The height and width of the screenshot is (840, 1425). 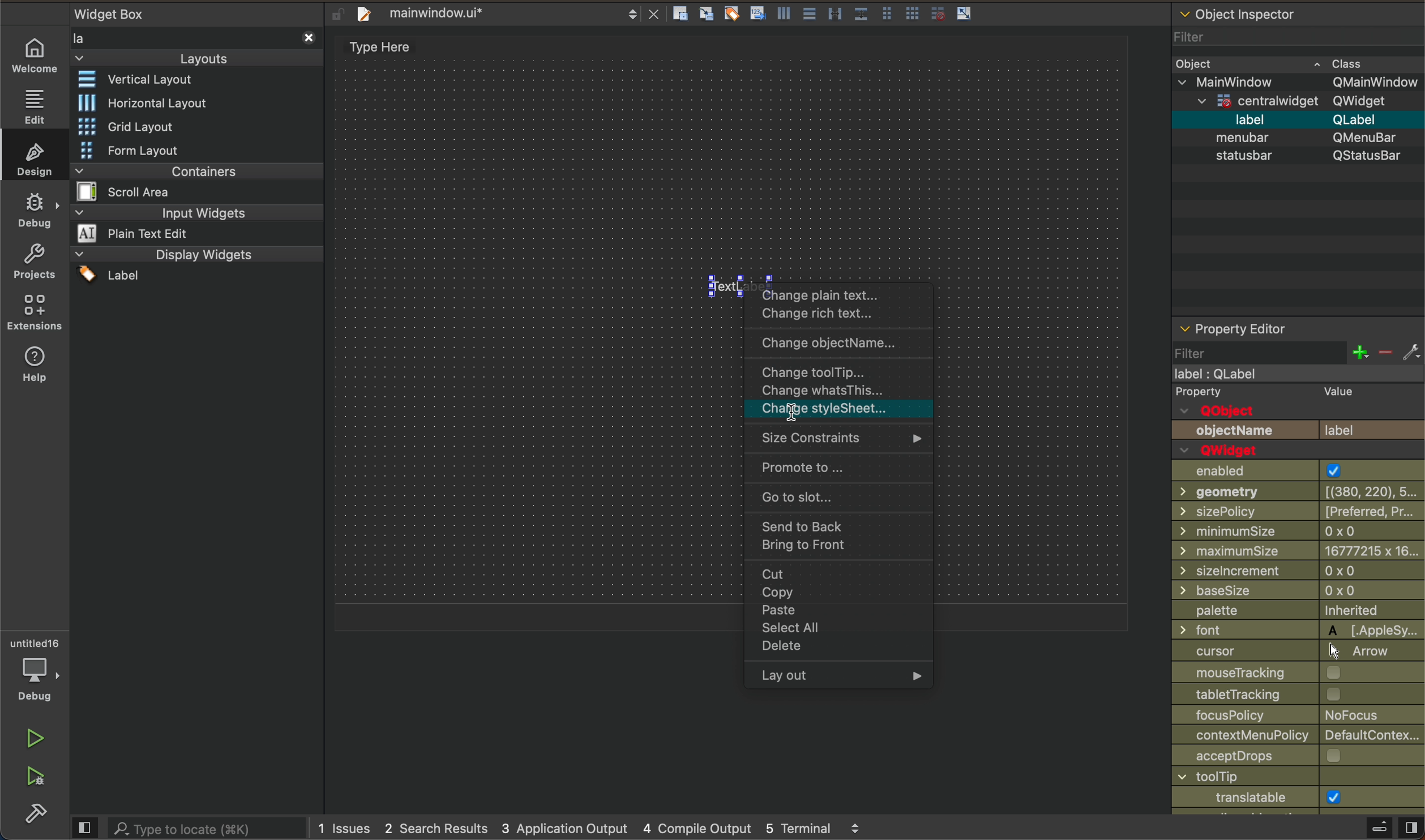 I want to click on search, so click(x=185, y=828).